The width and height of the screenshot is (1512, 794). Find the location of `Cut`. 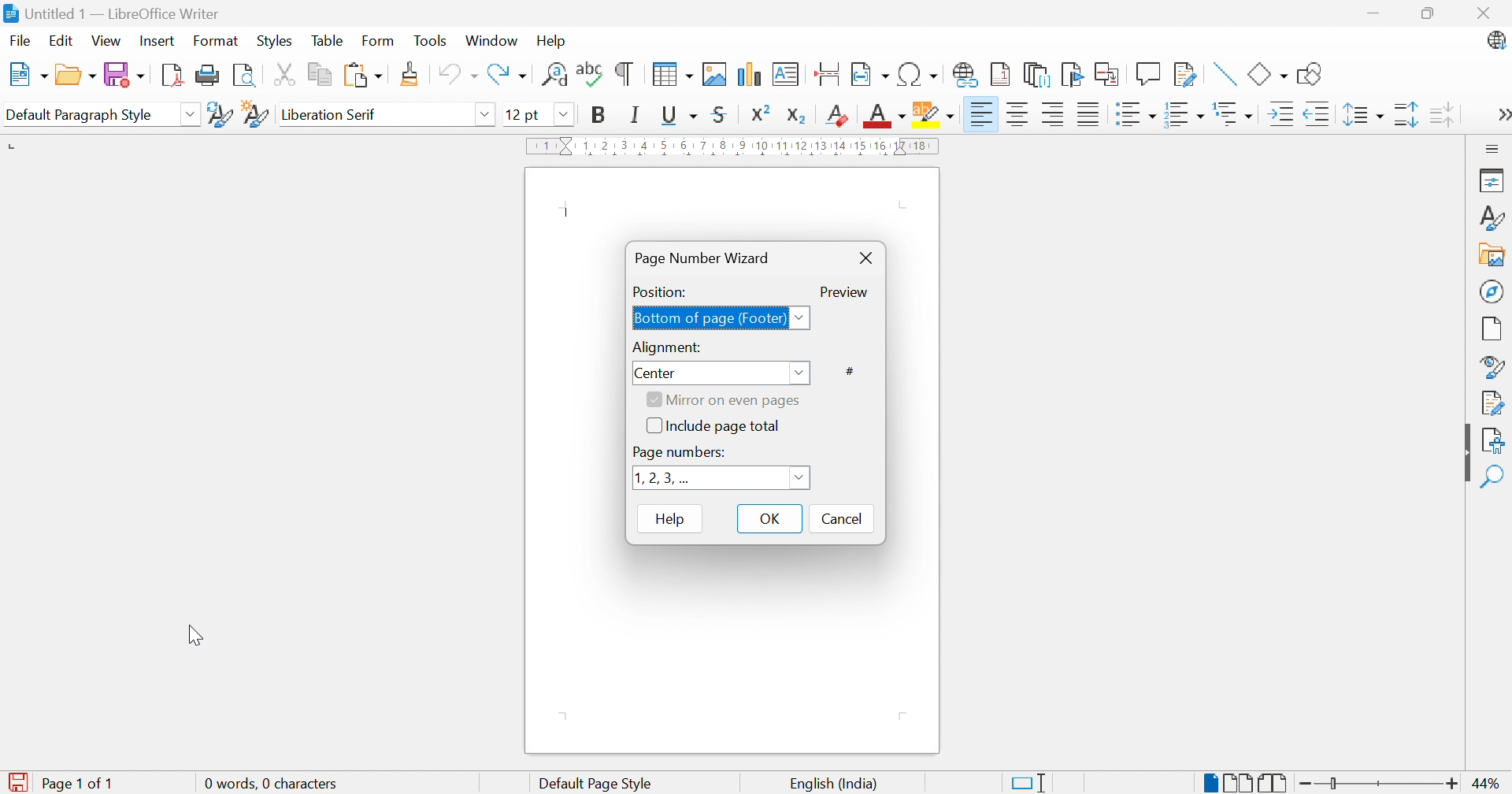

Cut is located at coordinates (287, 74).